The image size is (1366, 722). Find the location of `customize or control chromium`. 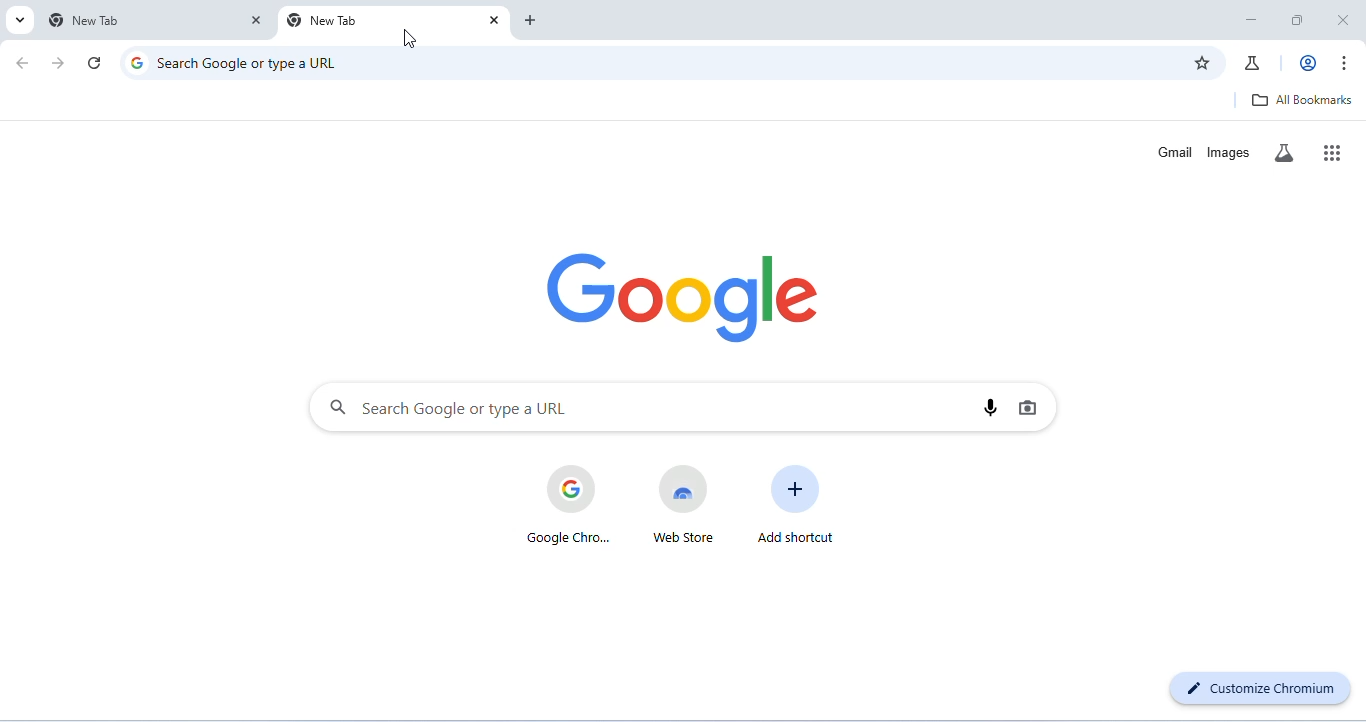

customize or control chromium is located at coordinates (1346, 62).